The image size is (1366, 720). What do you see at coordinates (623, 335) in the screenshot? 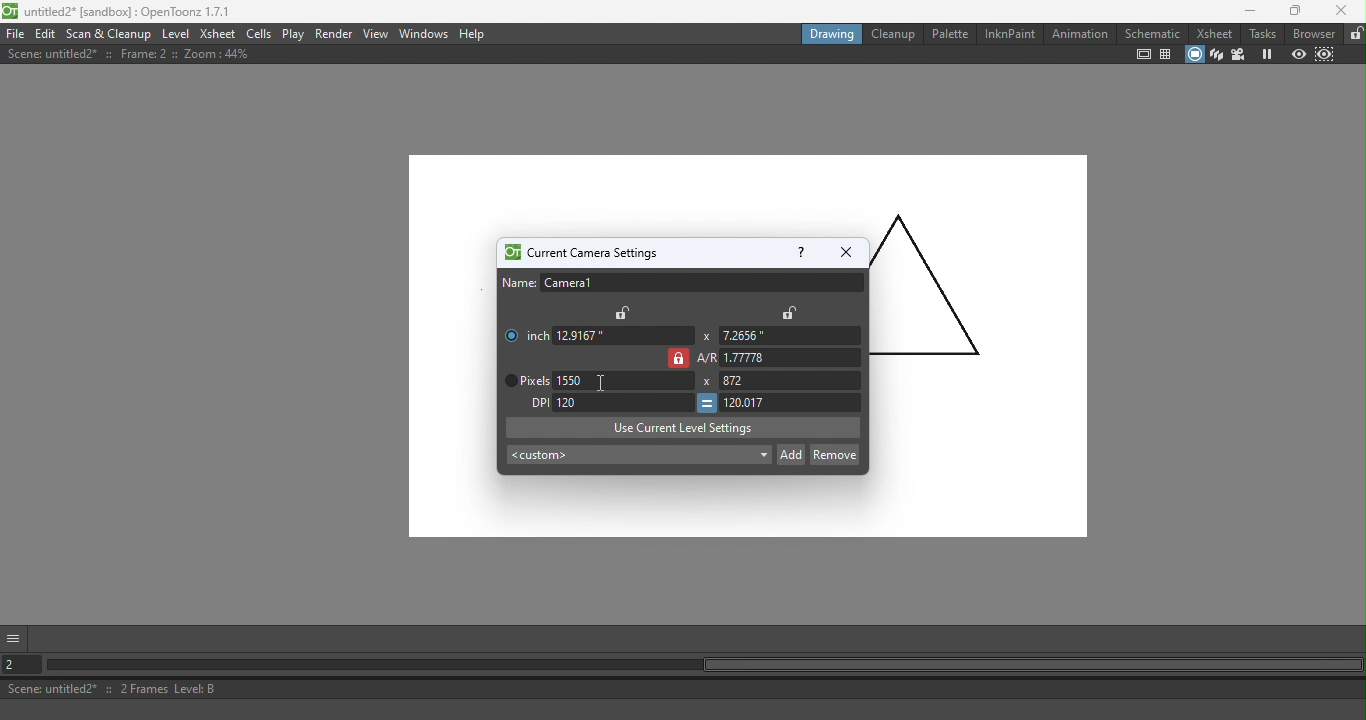
I see `enter dimension` at bounding box center [623, 335].